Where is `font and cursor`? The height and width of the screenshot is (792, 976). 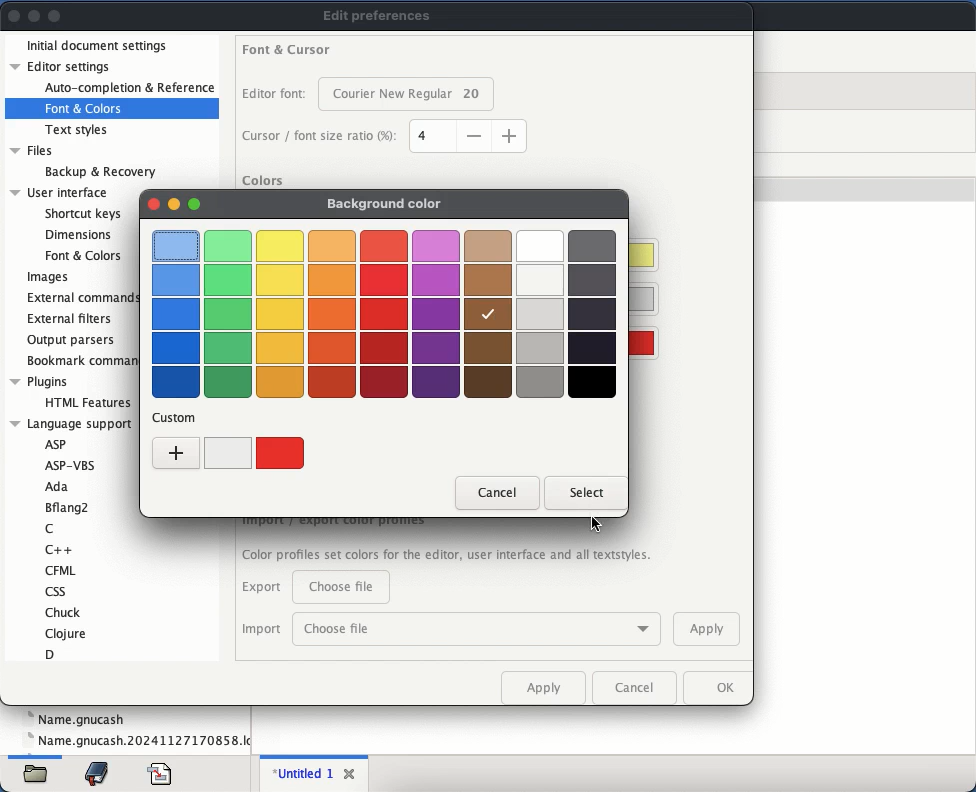 font and cursor is located at coordinates (289, 47).